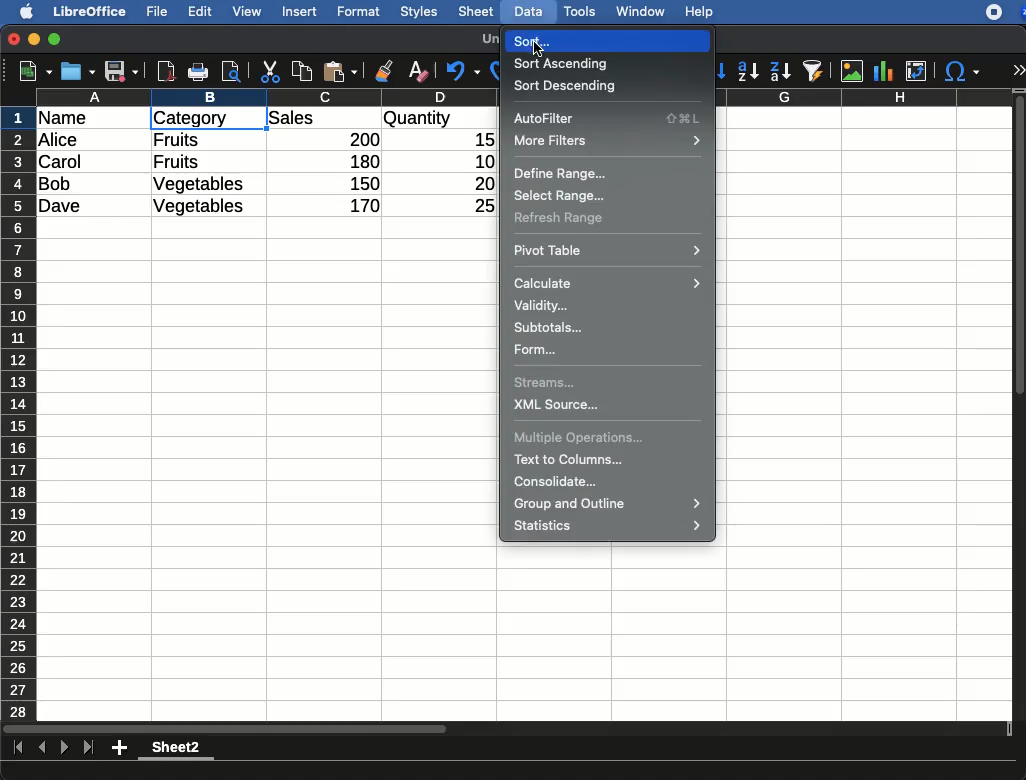 Image resolution: width=1026 pixels, height=780 pixels. Describe the element at coordinates (611, 505) in the screenshot. I see `group and outline` at that location.